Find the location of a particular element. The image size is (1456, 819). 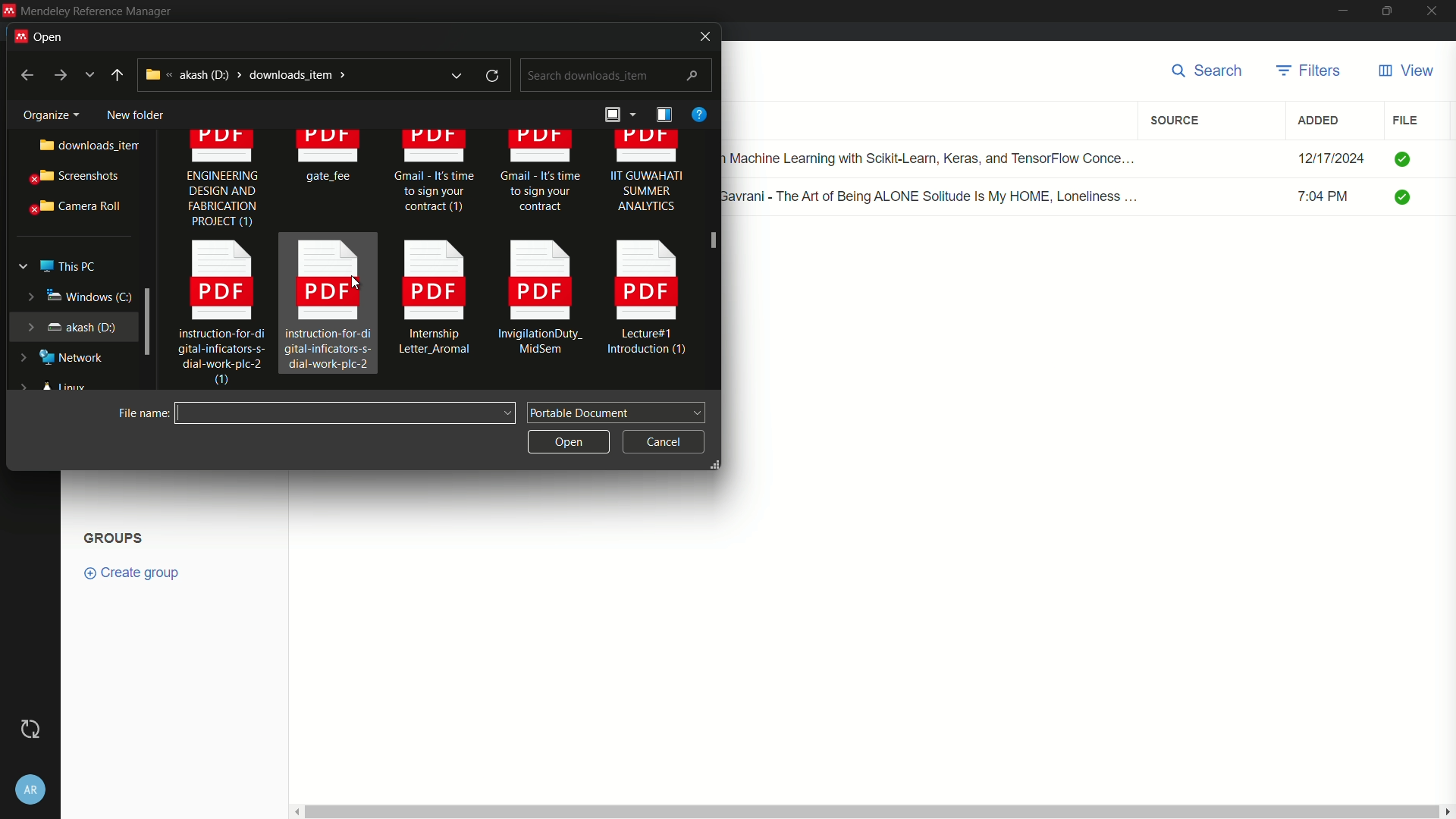

file name:  is located at coordinates (140, 411).